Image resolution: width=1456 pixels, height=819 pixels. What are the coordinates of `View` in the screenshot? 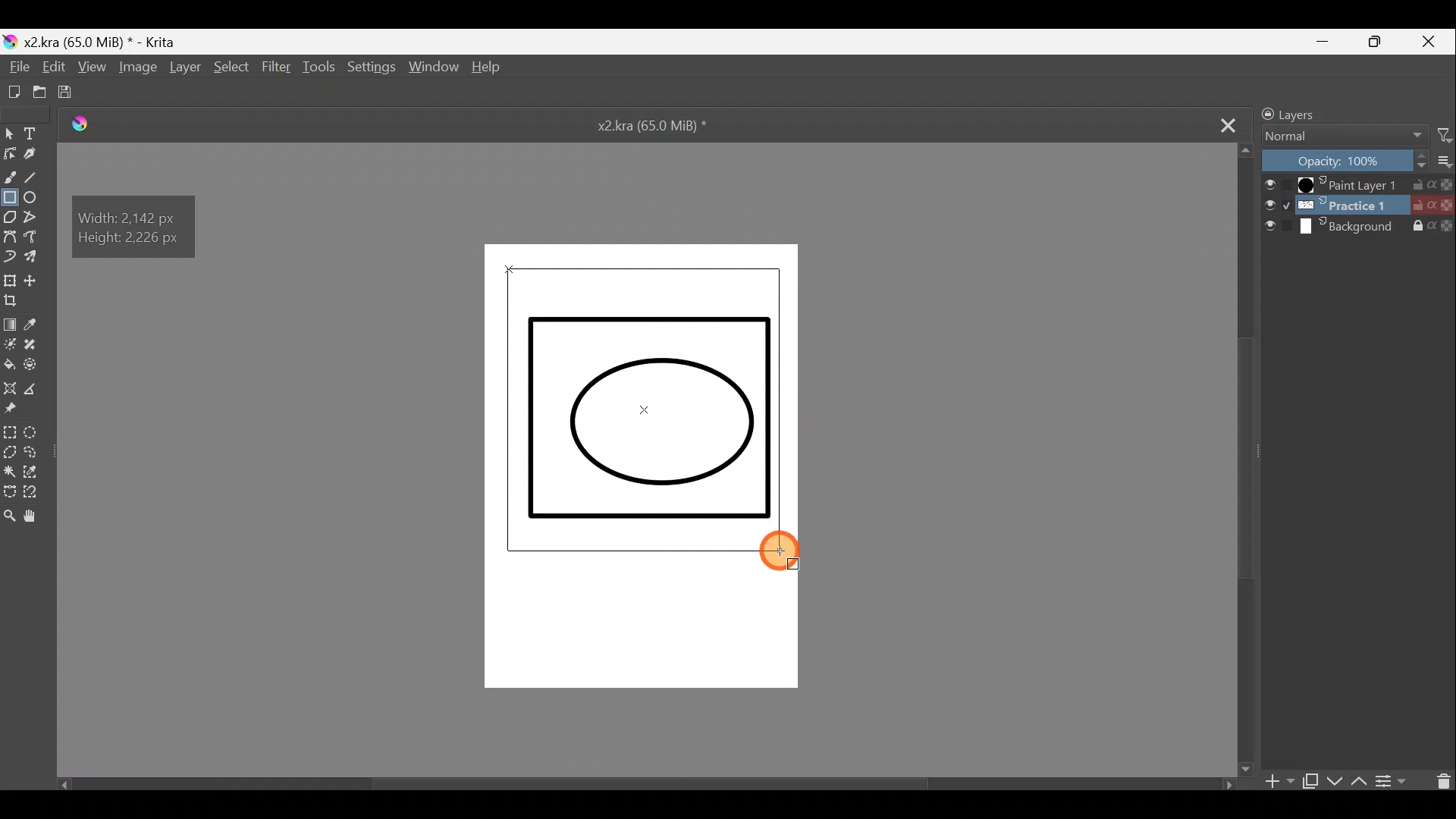 It's located at (92, 67).